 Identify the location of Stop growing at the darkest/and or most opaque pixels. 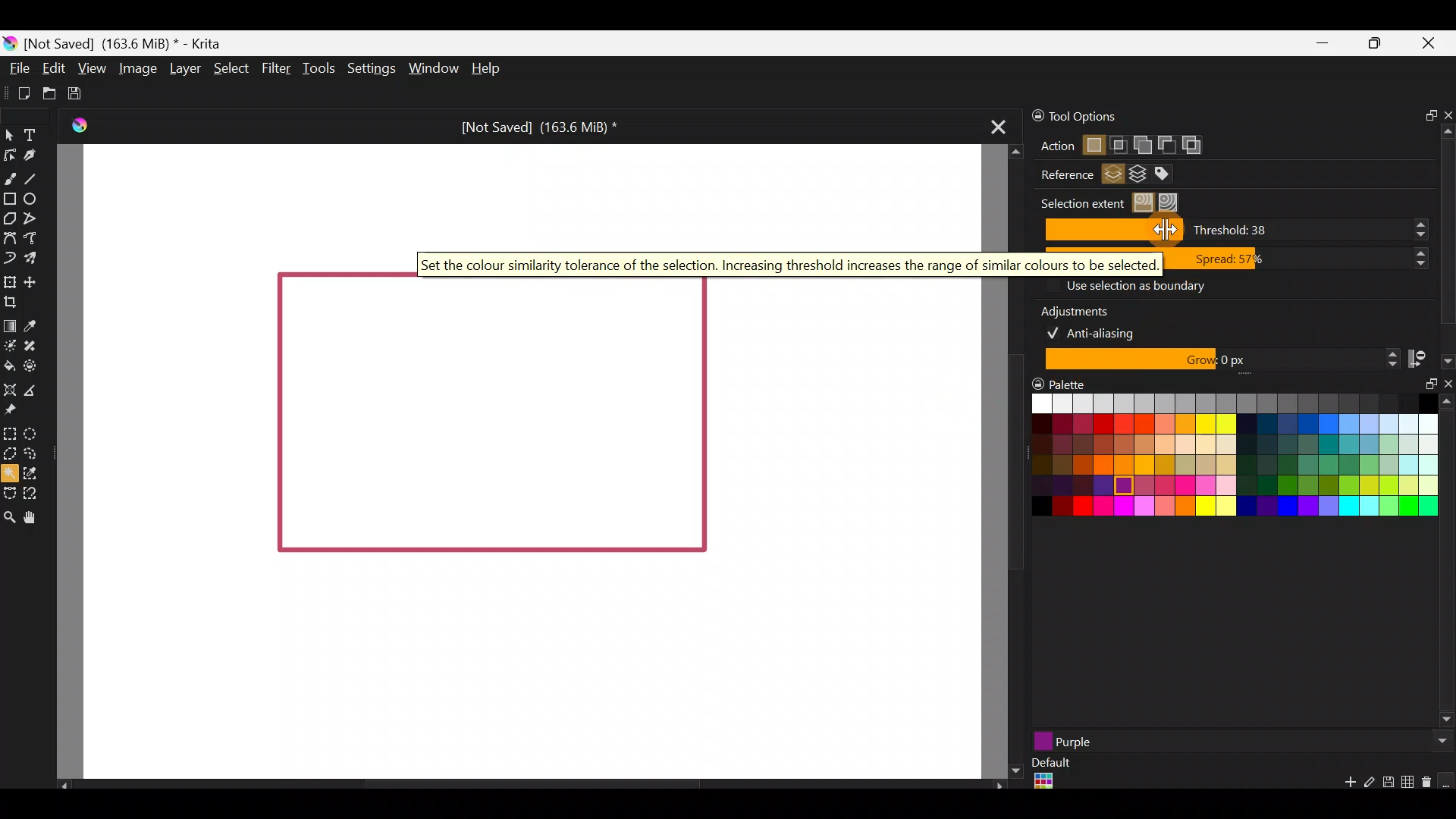
(1429, 358).